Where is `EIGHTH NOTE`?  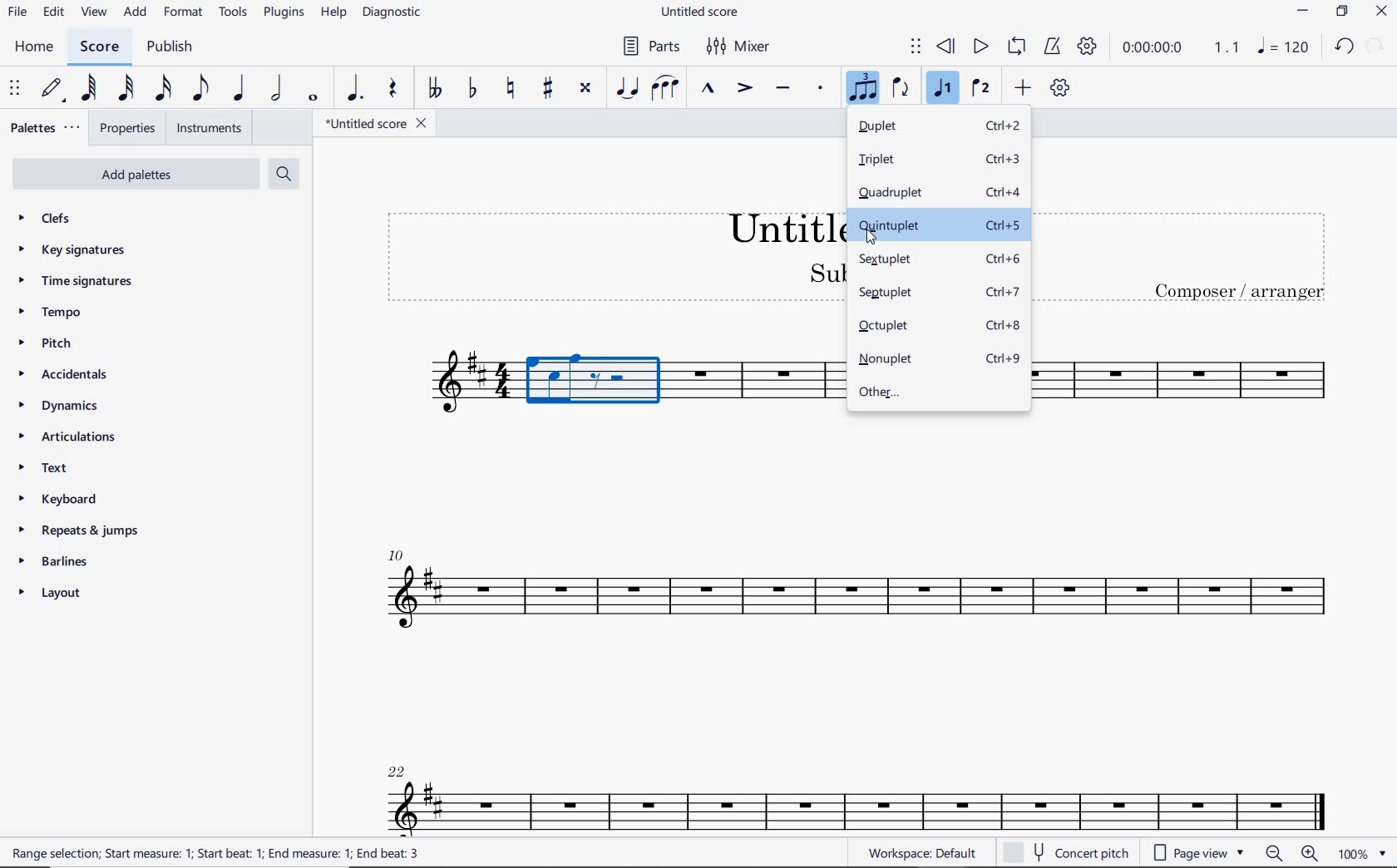 EIGHTH NOTE is located at coordinates (200, 87).